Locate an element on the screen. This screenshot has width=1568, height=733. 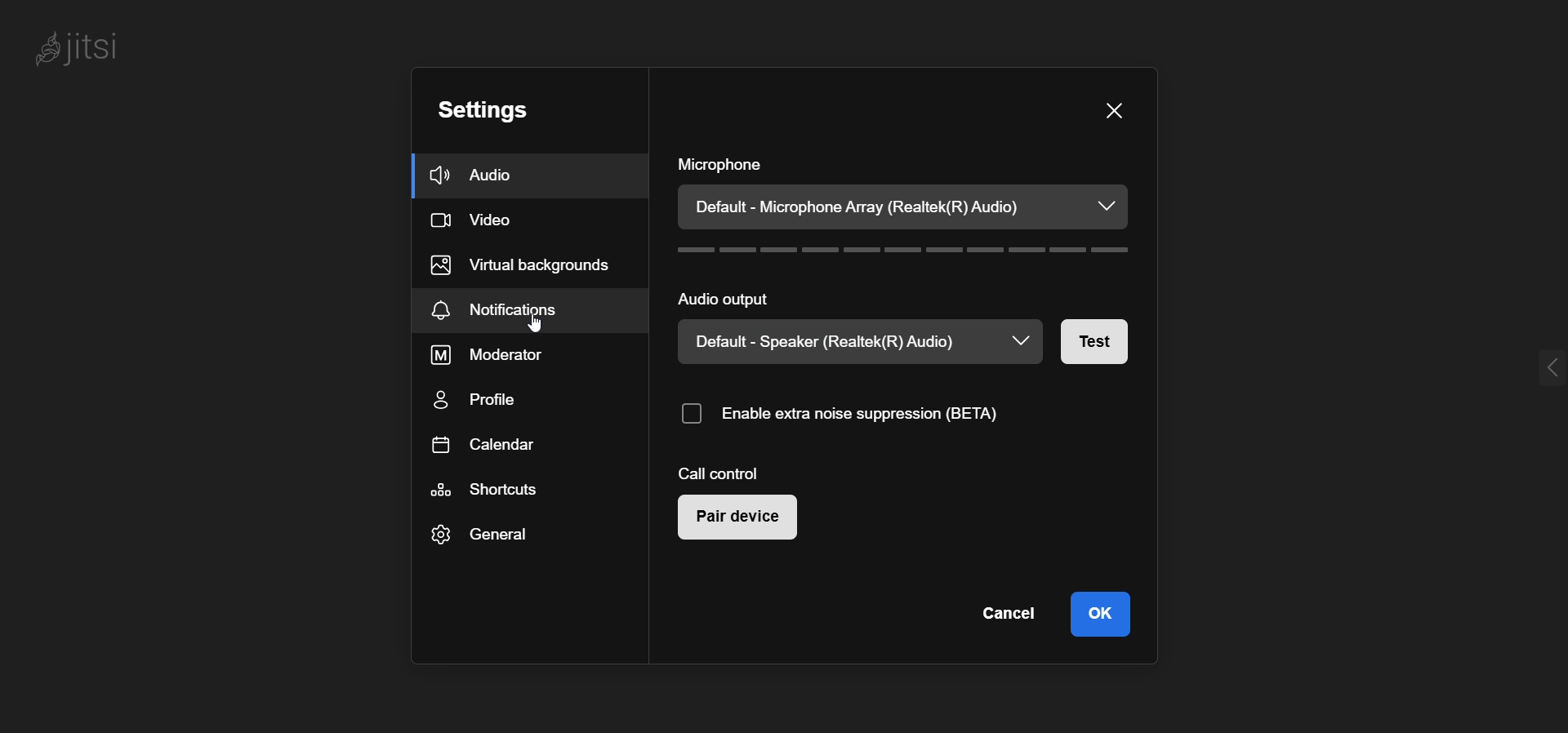
virtual background is located at coordinates (521, 262).